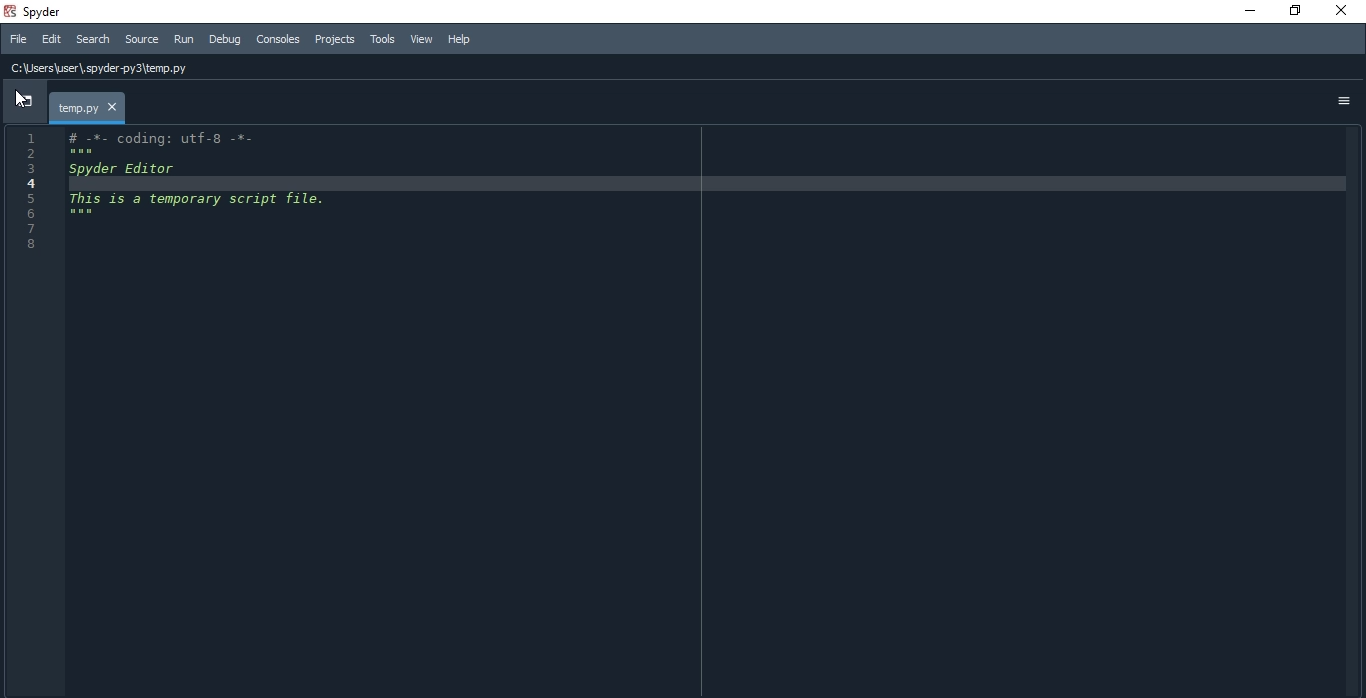 The height and width of the screenshot is (698, 1366). What do you see at coordinates (16, 98) in the screenshot?
I see `cursor` at bounding box center [16, 98].